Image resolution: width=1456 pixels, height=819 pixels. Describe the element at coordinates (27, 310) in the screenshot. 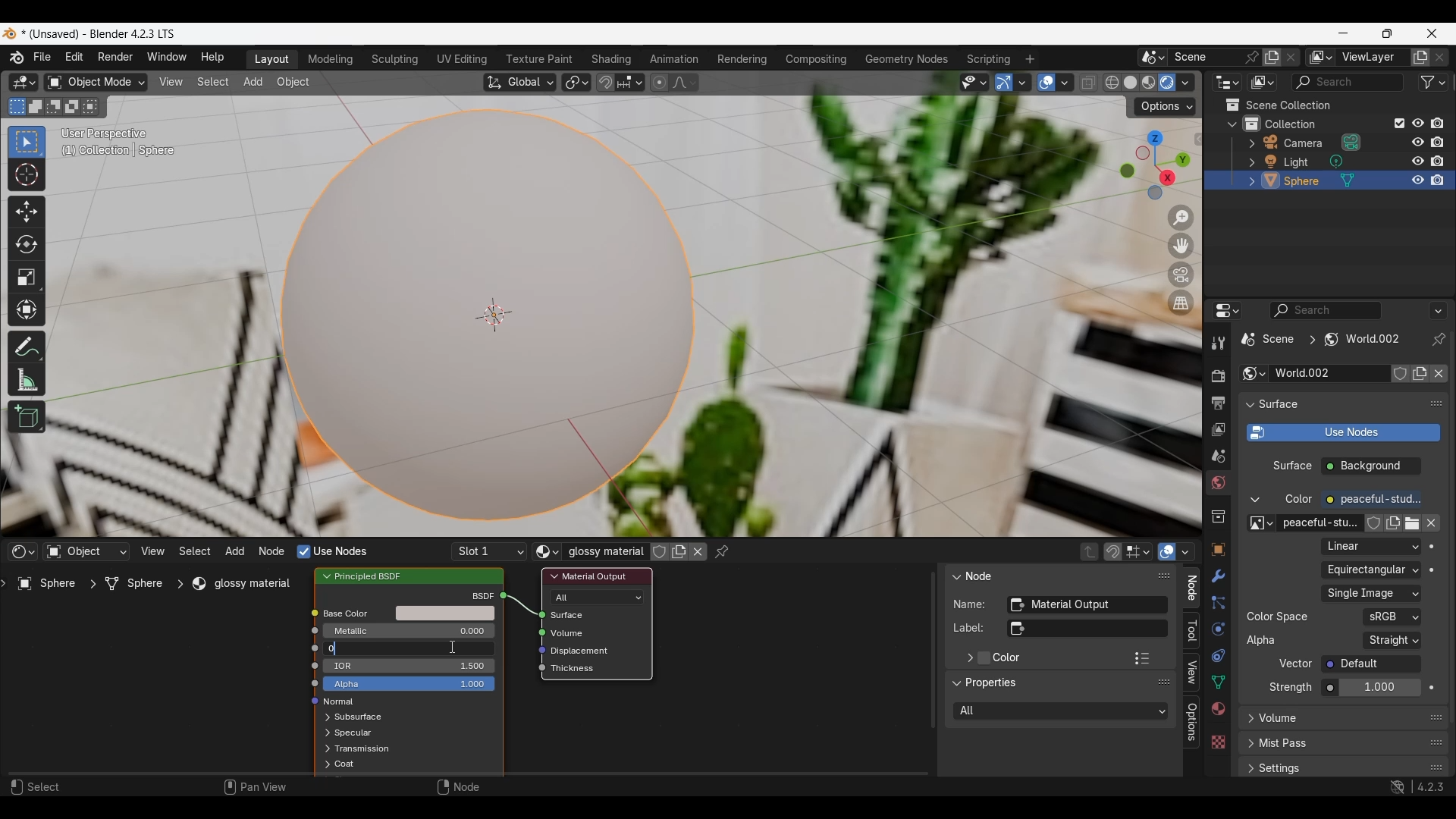

I see `Transform ` at that location.